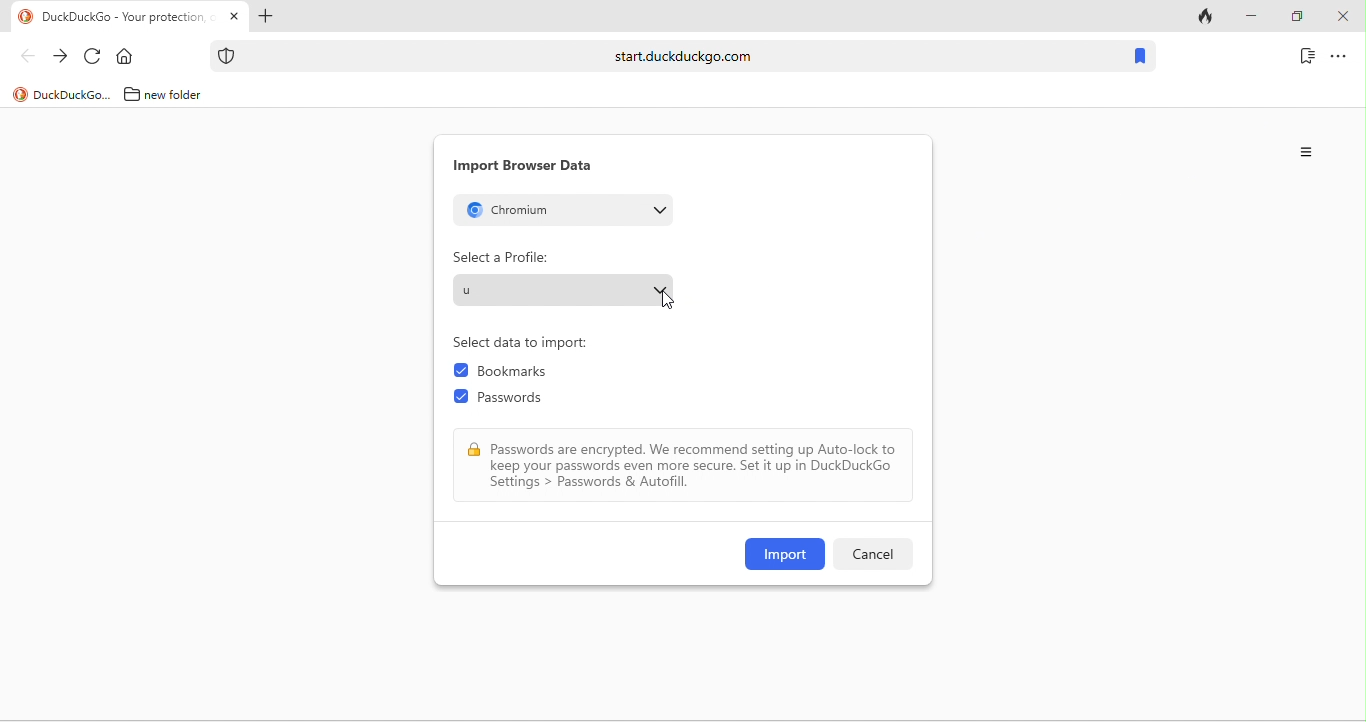  What do you see at coordinates (1296, 17) in the screenshot?
I see `maximize` at bounding box center [1296, 17].